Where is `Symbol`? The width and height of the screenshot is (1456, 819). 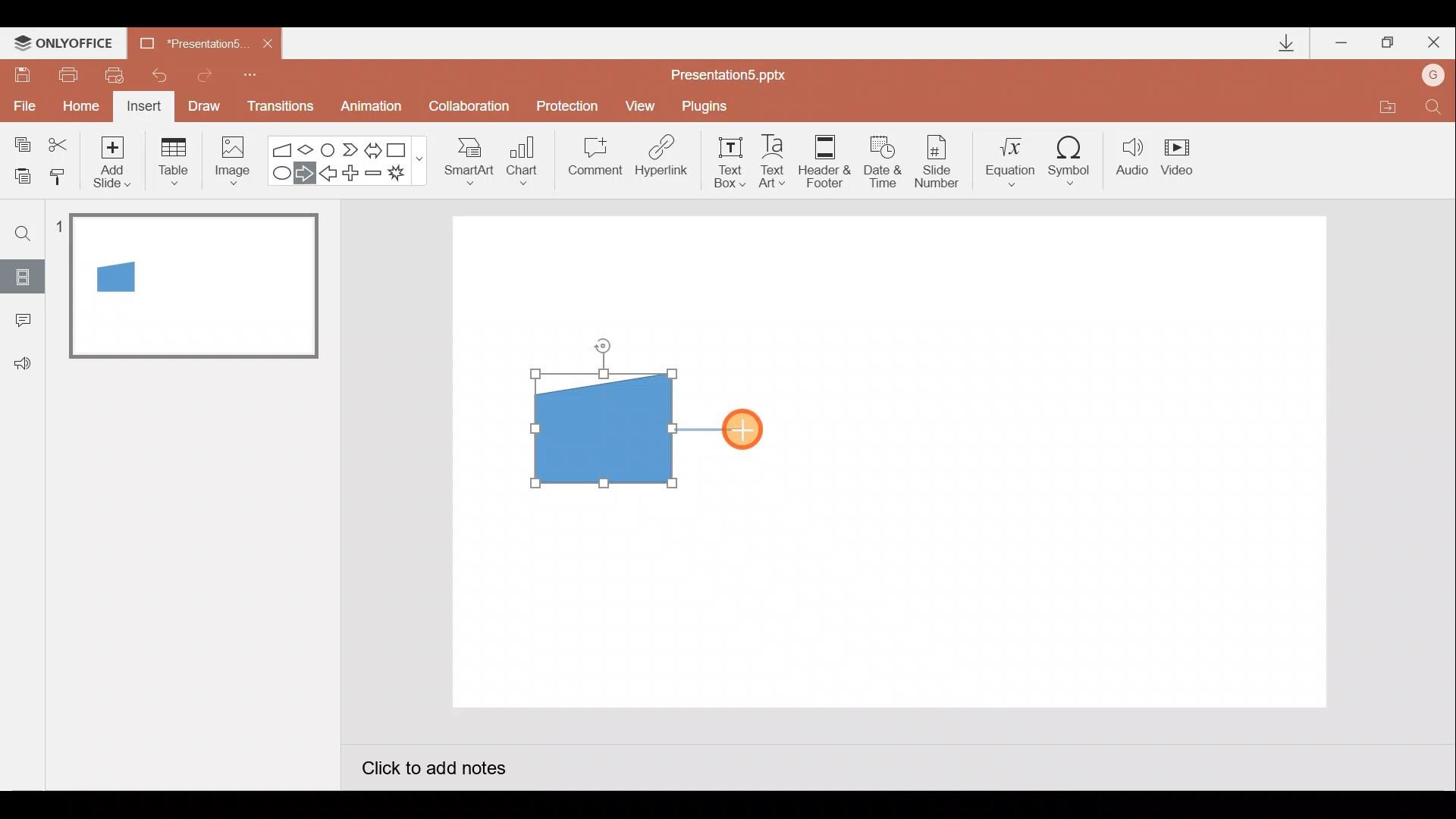 Symbol is located at coordinates (1075, 160).